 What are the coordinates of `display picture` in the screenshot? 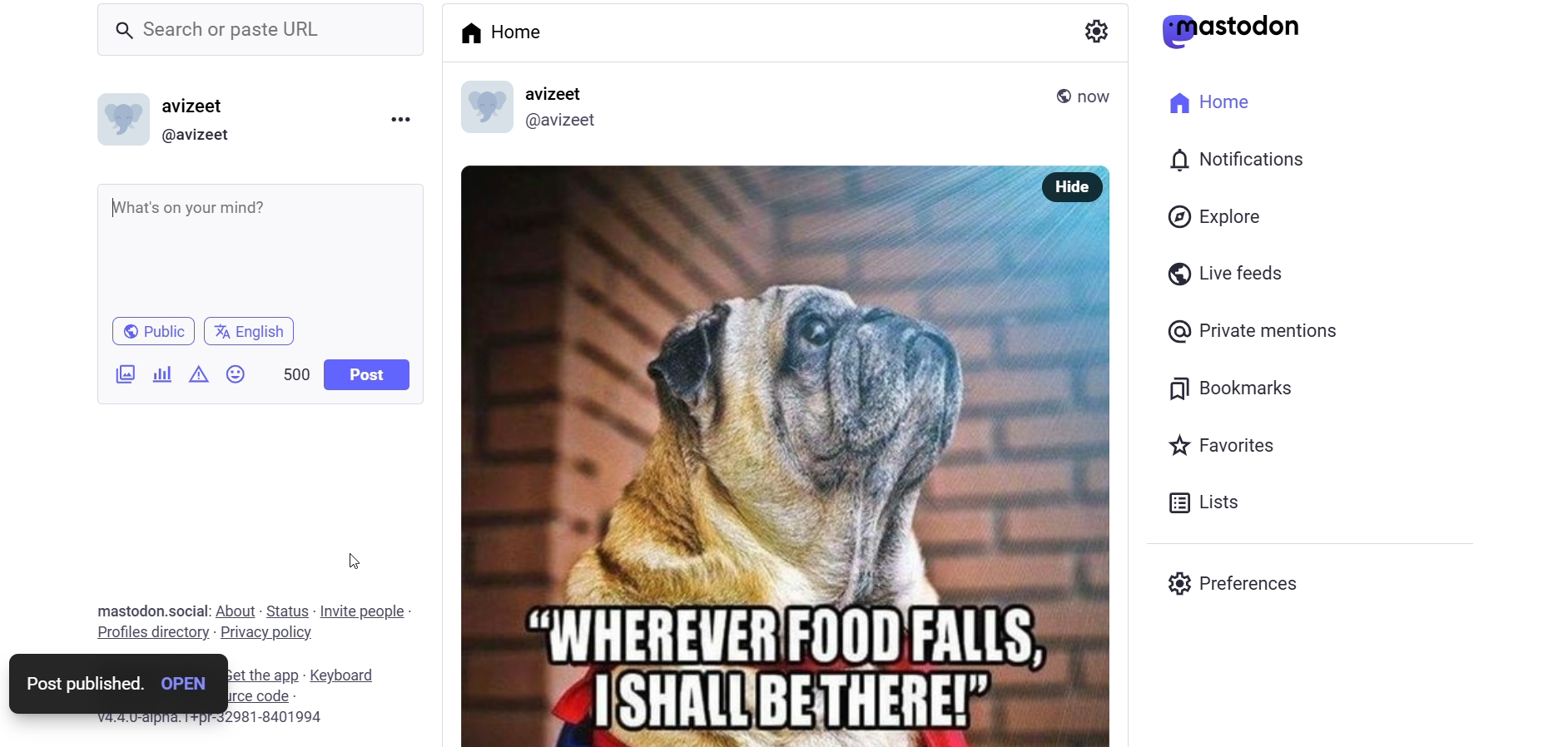 It's located at (483, 108).